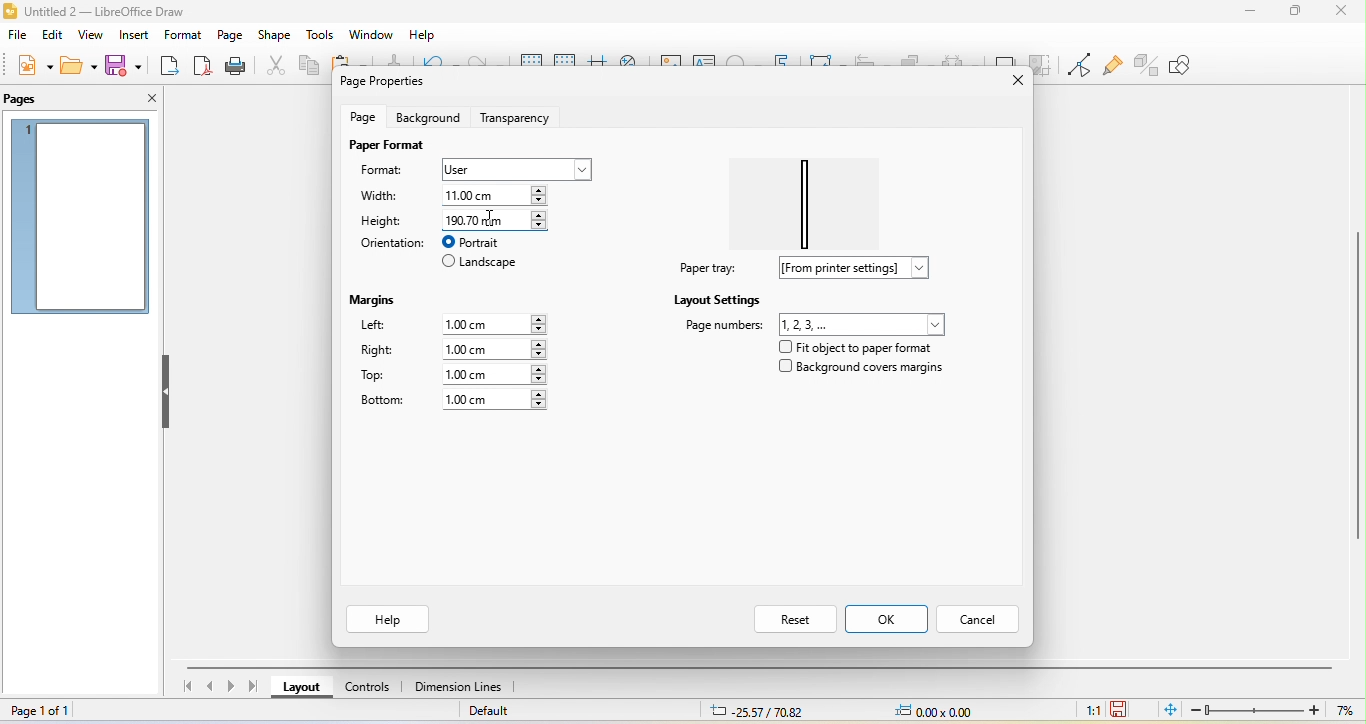  I want to click on next page, so click(234, 687).